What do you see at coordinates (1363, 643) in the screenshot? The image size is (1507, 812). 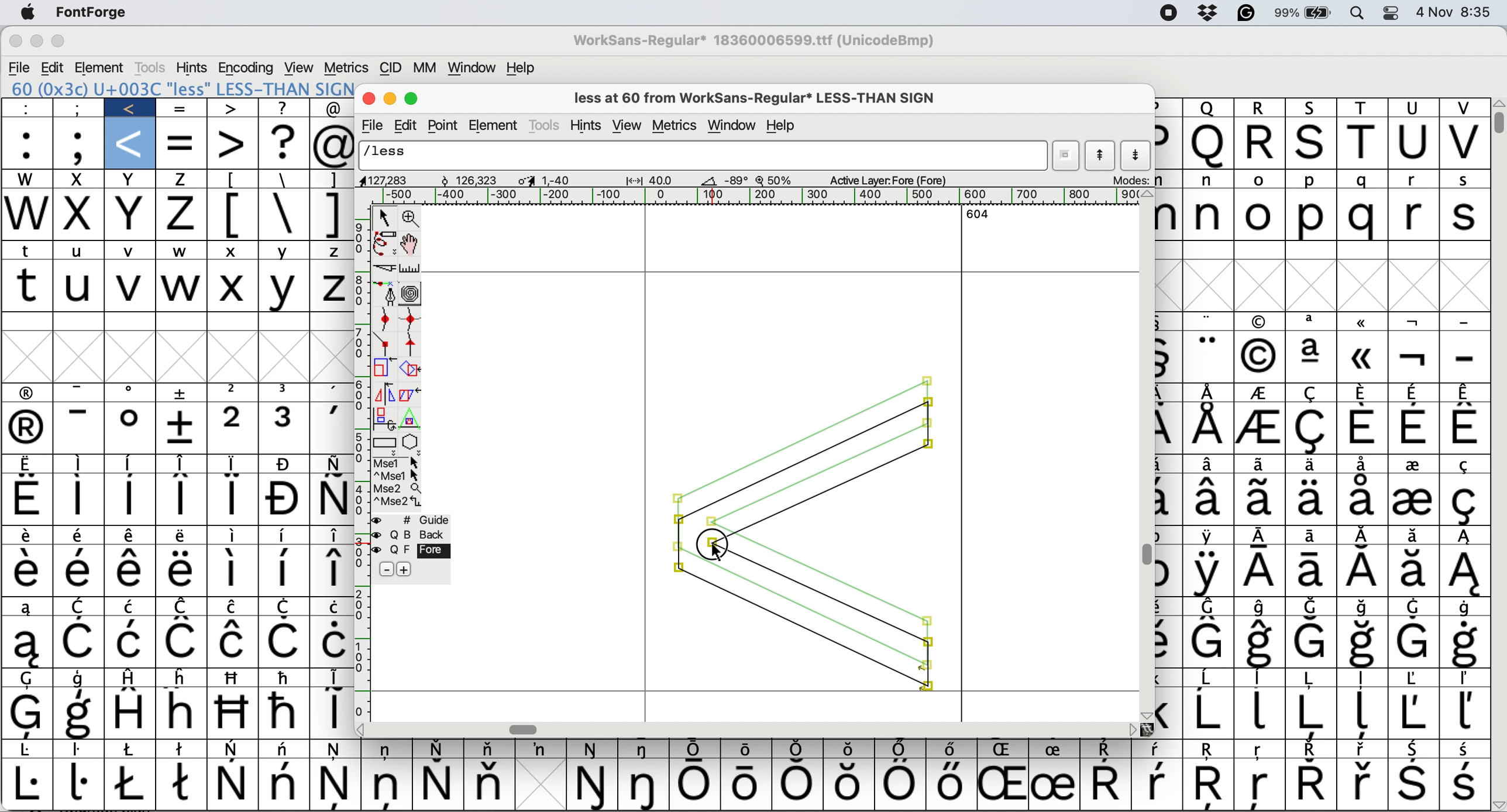 I see `SymbolSymbol` at bounding box center [1363, 643].